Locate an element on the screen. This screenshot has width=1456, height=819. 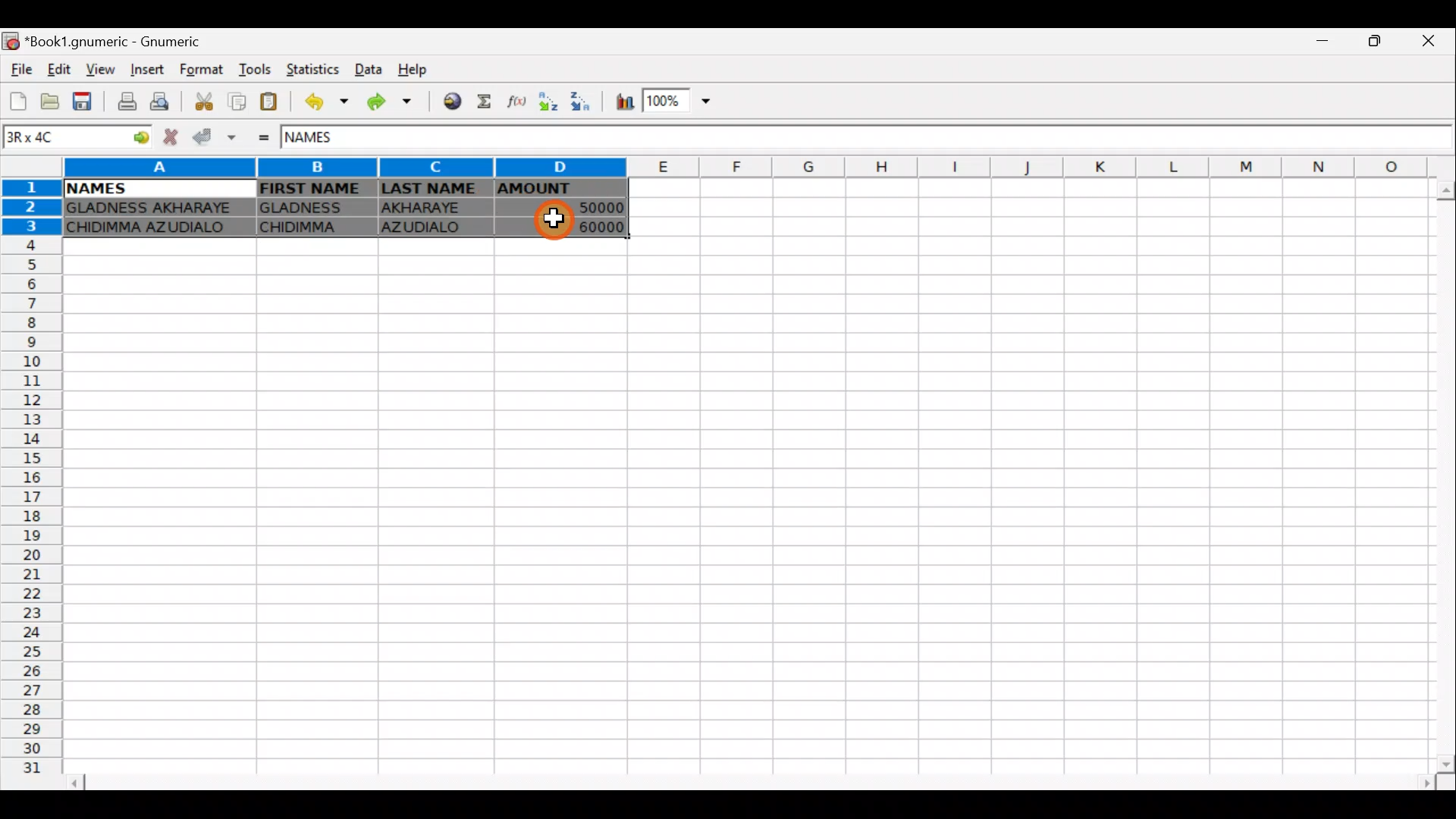
Minimize is located at coordinates (1323, 45).